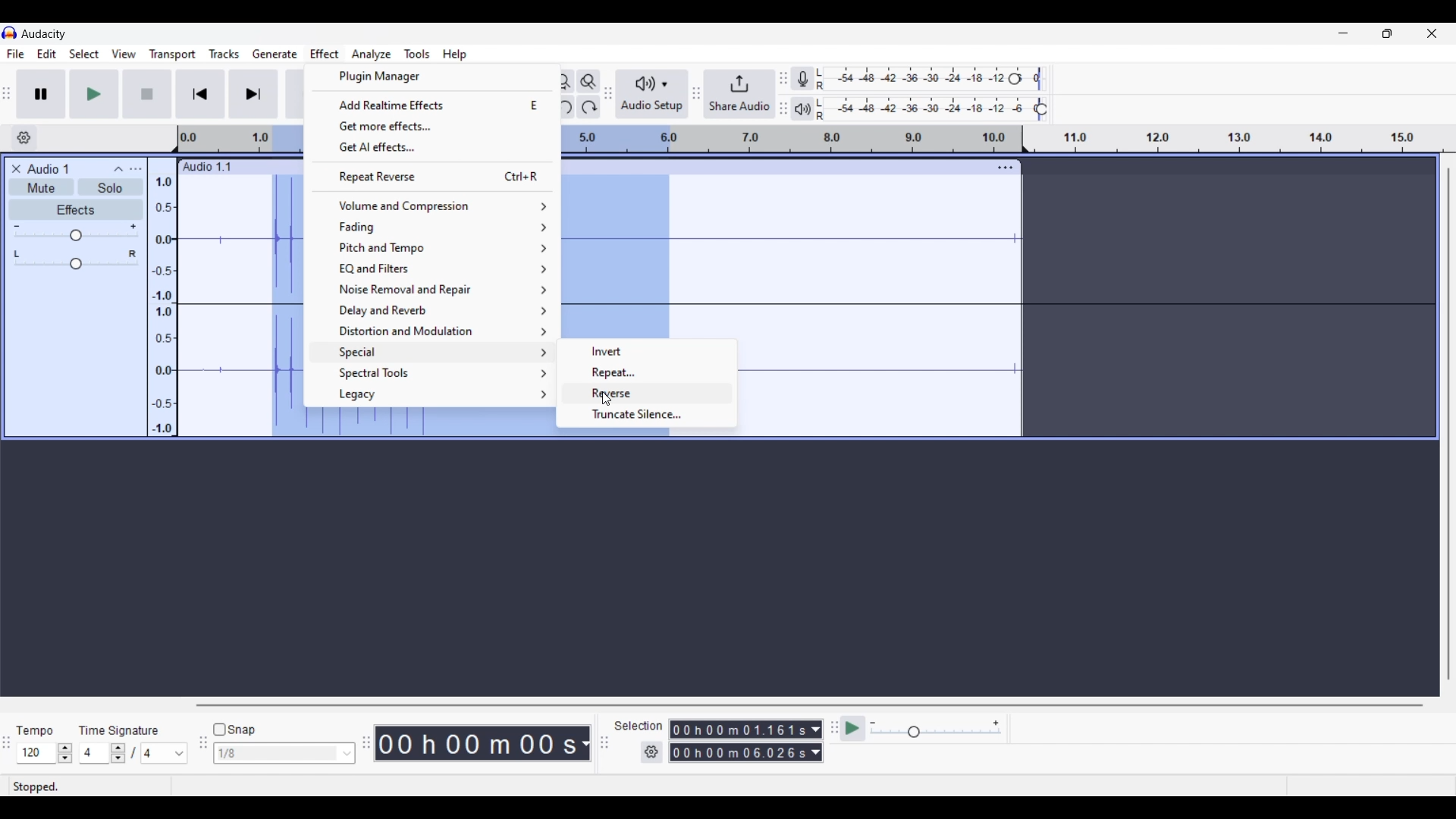 Image resolution: width=1456 pixels, height=819 pixels. What do you see at coordinates (432, 105) in the screenshot?
I see `Add realtime effects` at bounding box center [432, 105].